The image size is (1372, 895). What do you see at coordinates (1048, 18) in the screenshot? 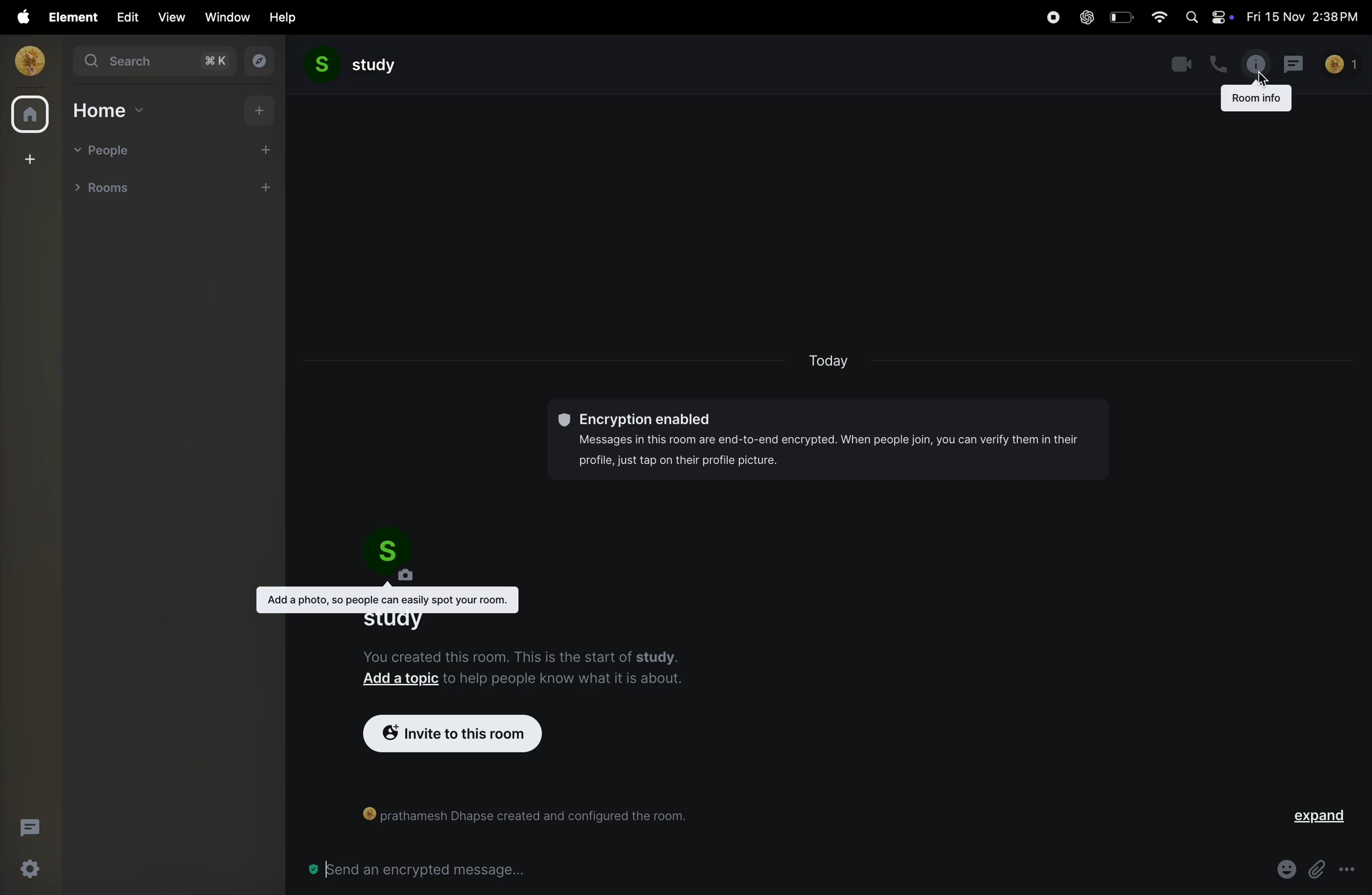
I see `record` at bounding box center [1048, 18].